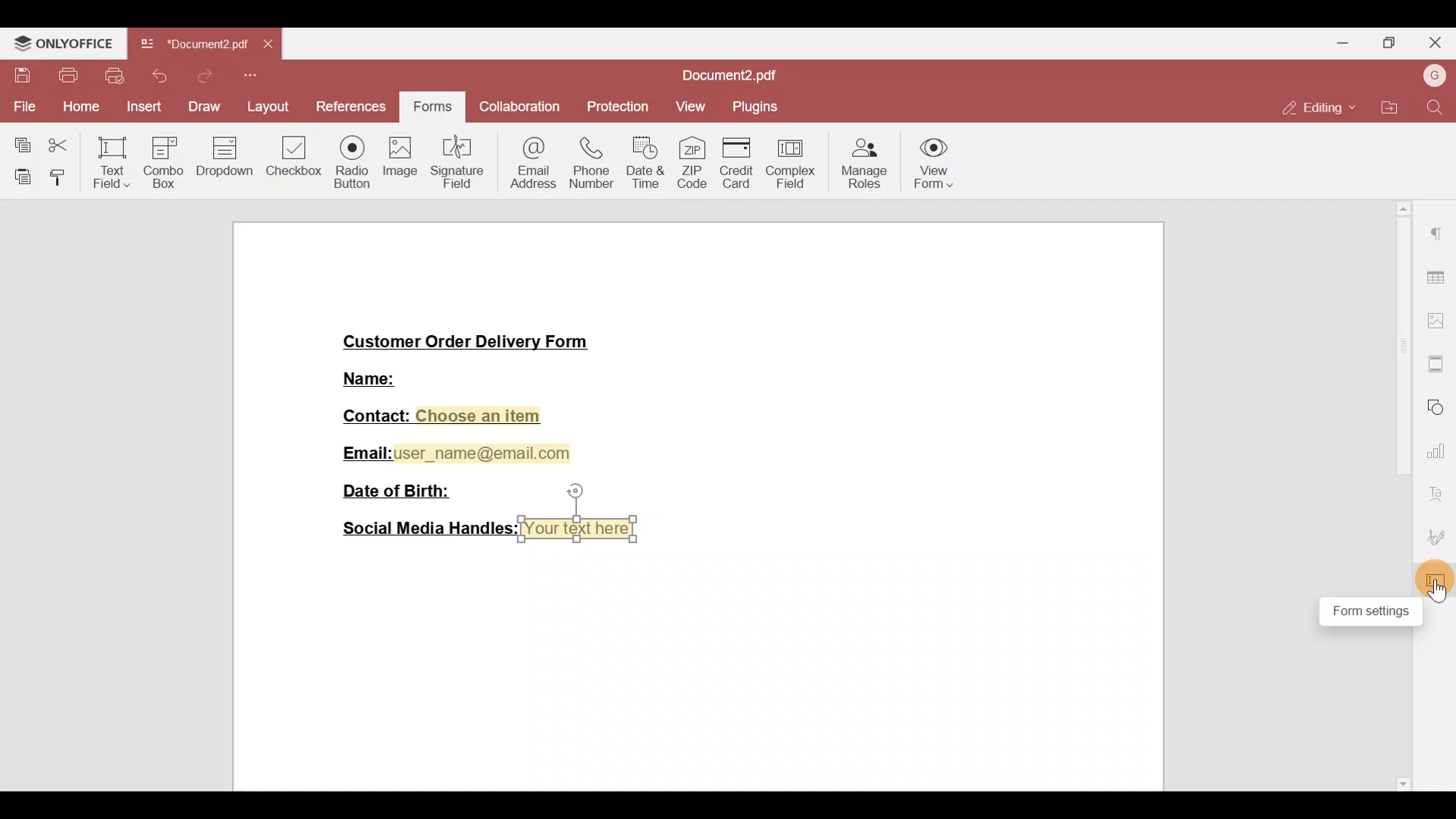  Describe the element at coordinates (24, 106) in the screenshot. I see `File` at that location.